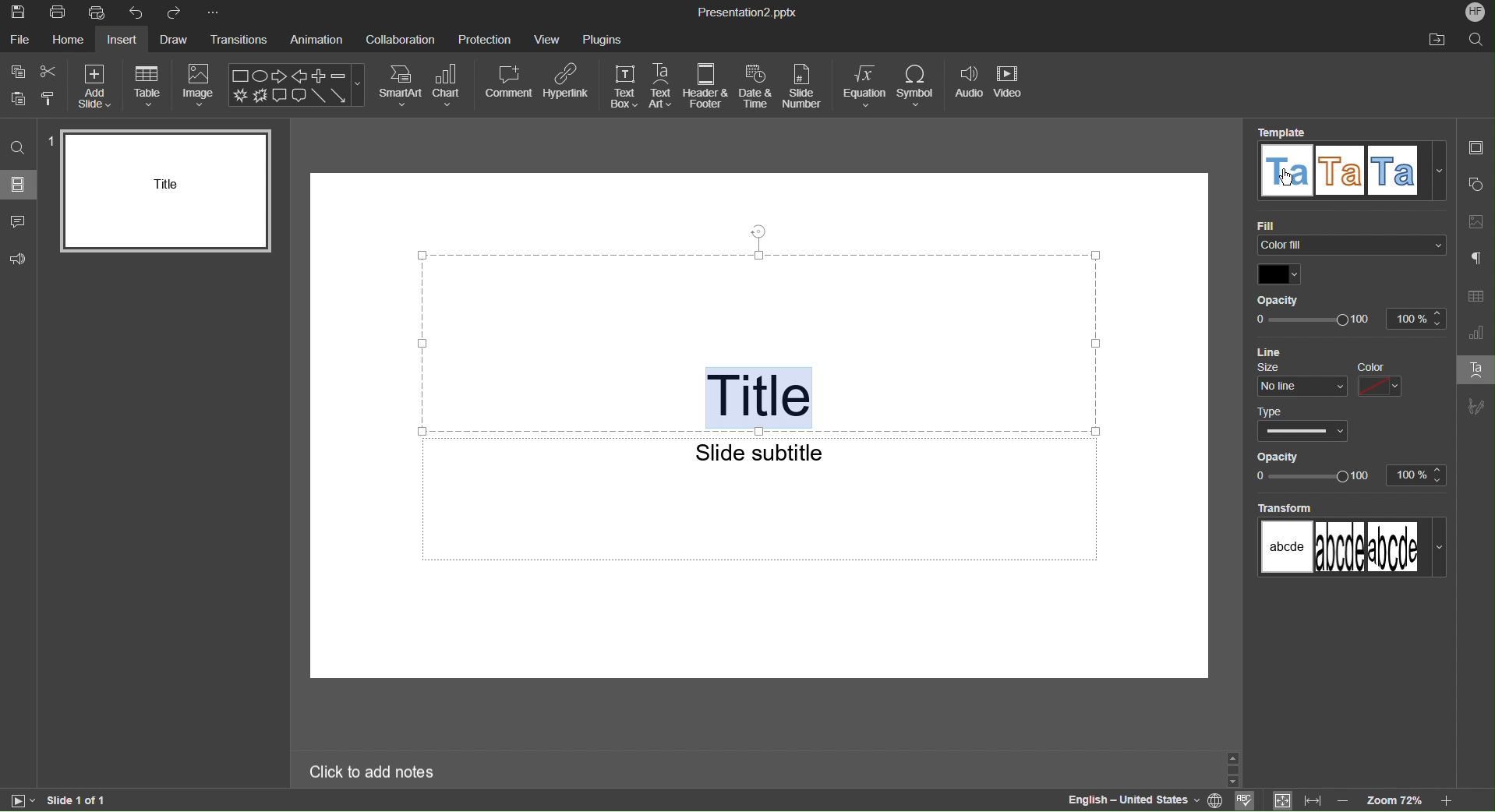 This screenshot has width=1495, height=812. What do you see at coordinates (1394, 380) in the screenshot?
I see `Color` at bounding box center [1394, 380].